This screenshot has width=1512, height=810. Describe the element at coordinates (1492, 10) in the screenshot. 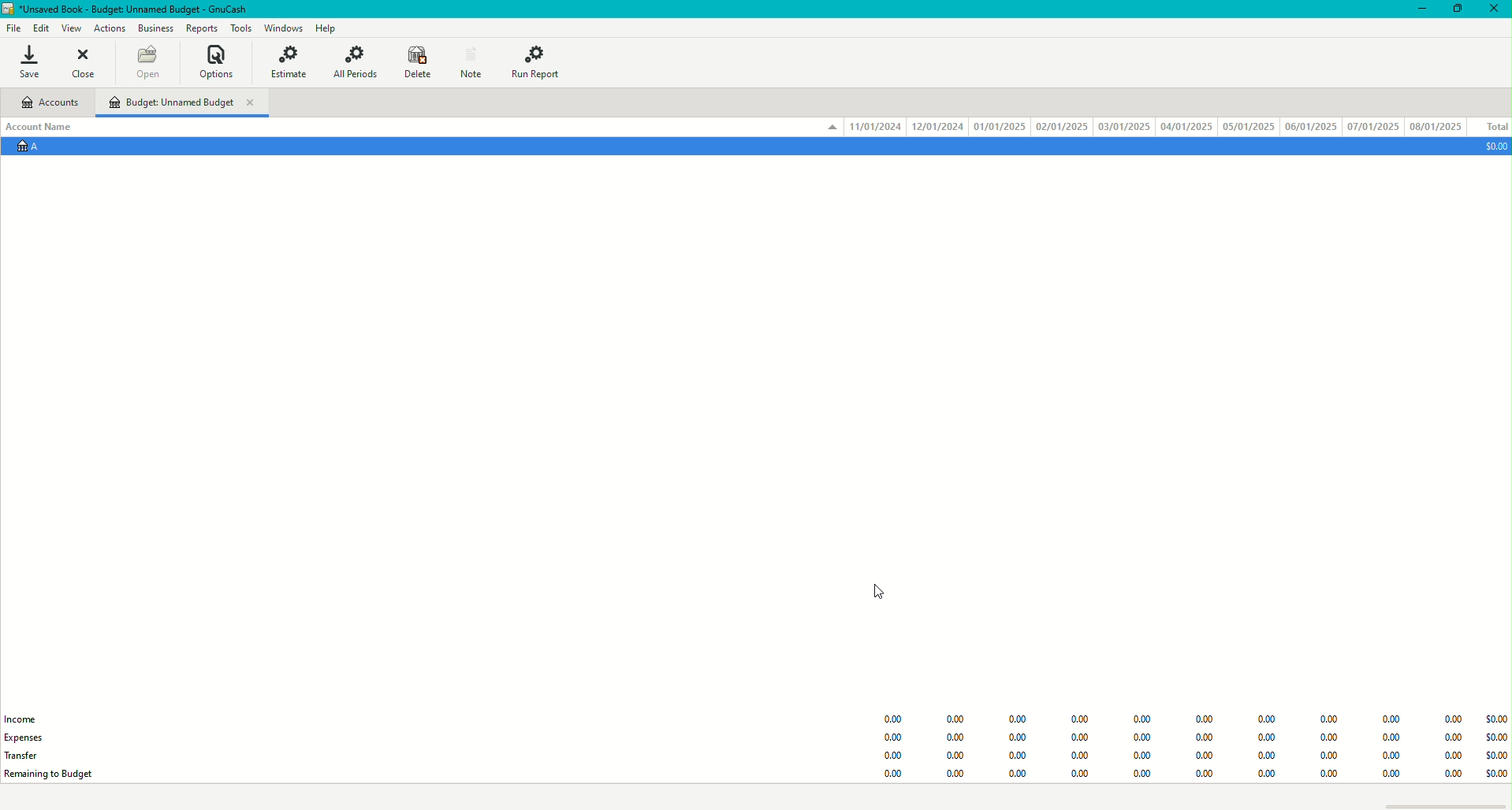

I see `Close` at that location.